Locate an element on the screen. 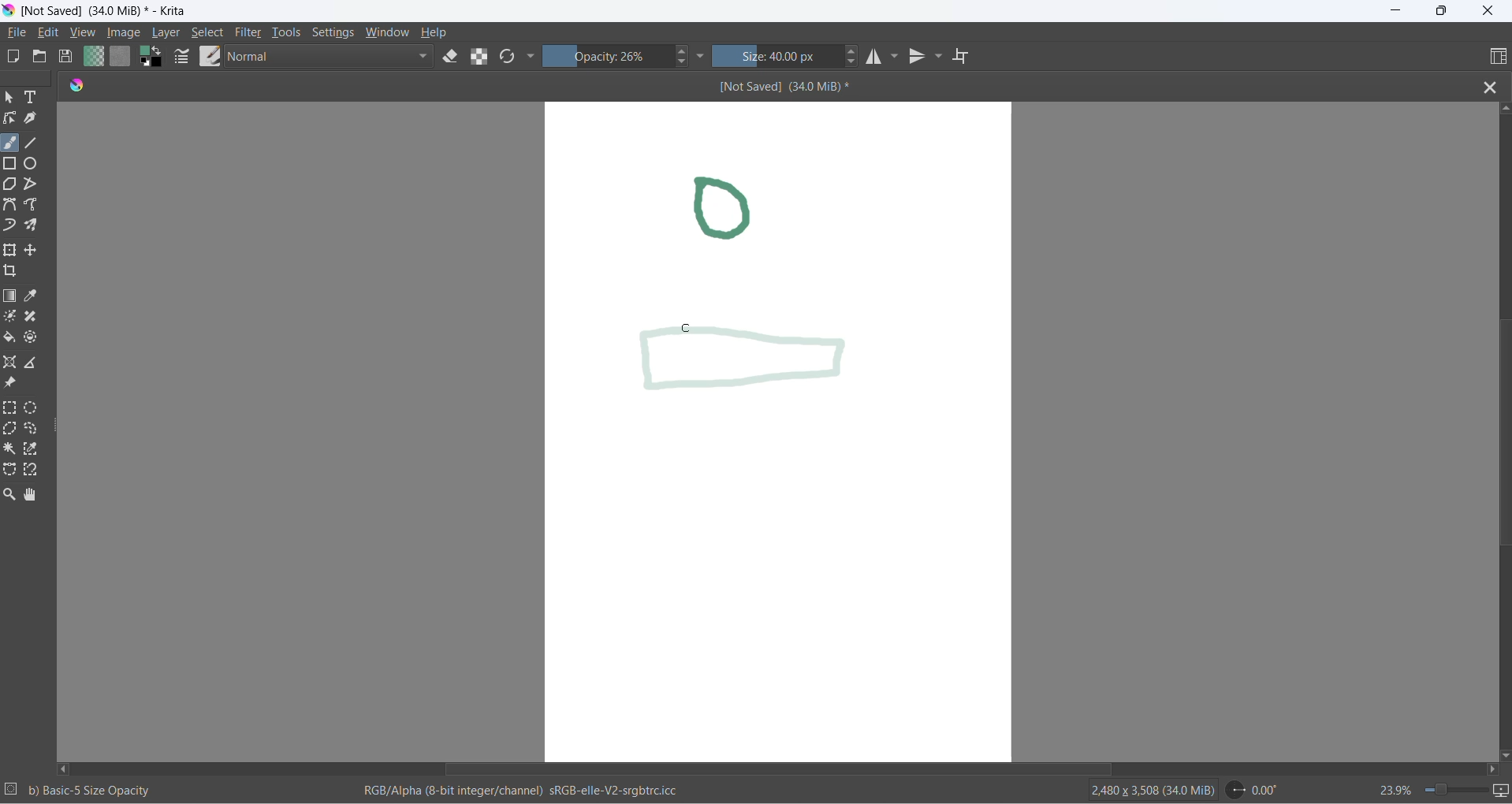 The height and width of the screenshot is (804, 1512). horizontal mirror tool is located at coordinates (875, 57).